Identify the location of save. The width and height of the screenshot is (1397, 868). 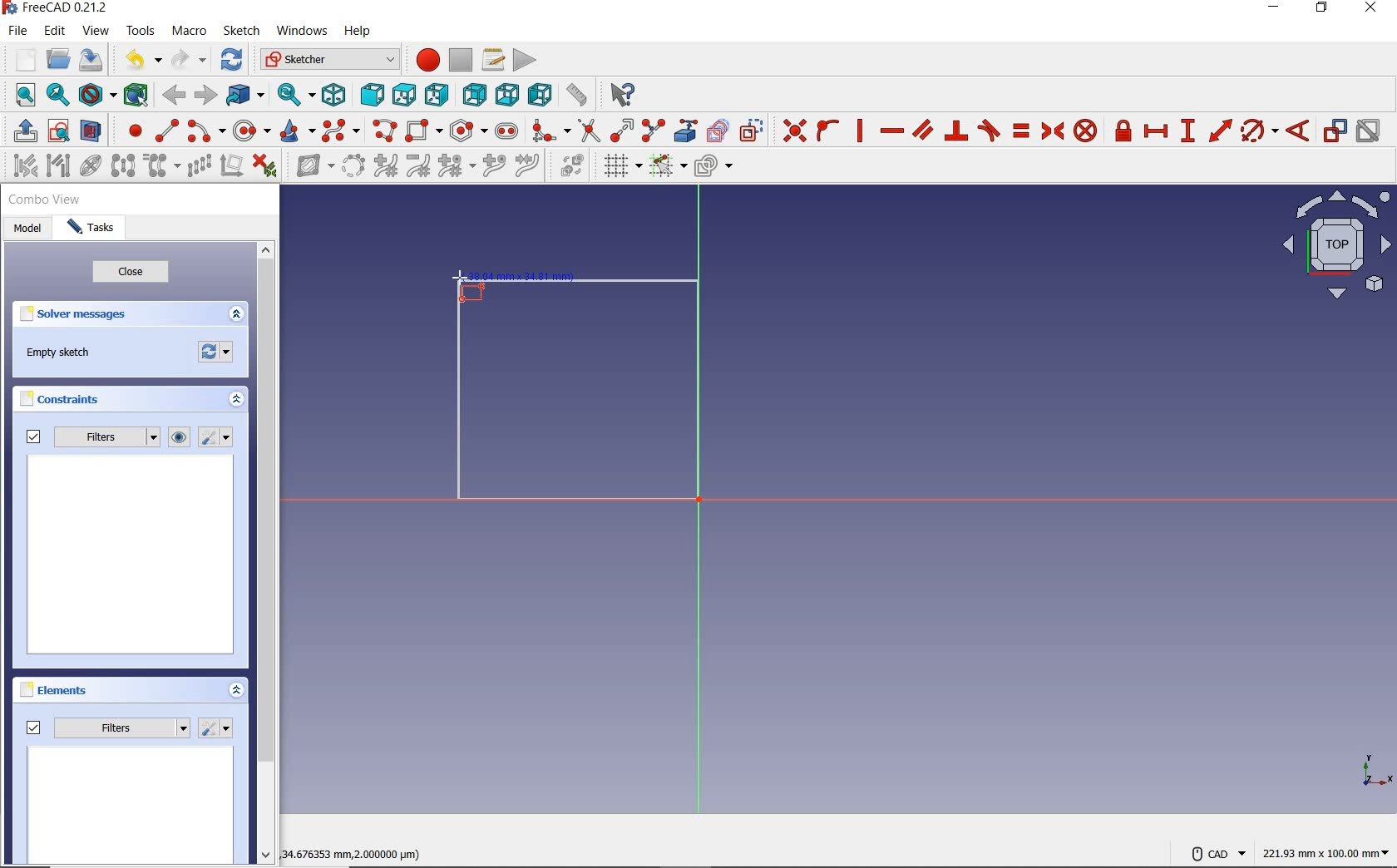
(91, 59).